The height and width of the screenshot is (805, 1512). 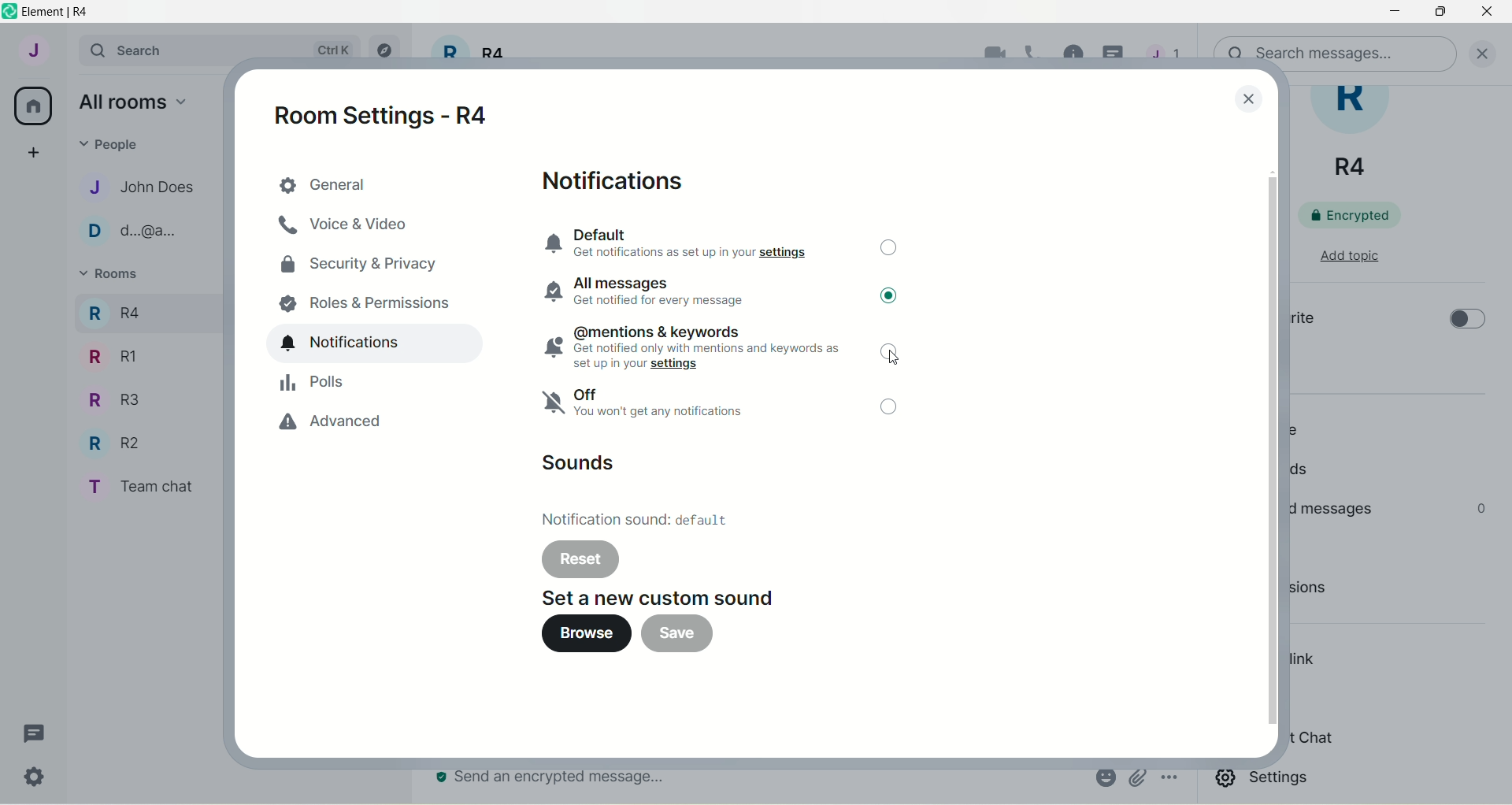 What do you see at coordinates (1172, 779) in the screenshot?
I see `options` at bounding box center [1172, 779].